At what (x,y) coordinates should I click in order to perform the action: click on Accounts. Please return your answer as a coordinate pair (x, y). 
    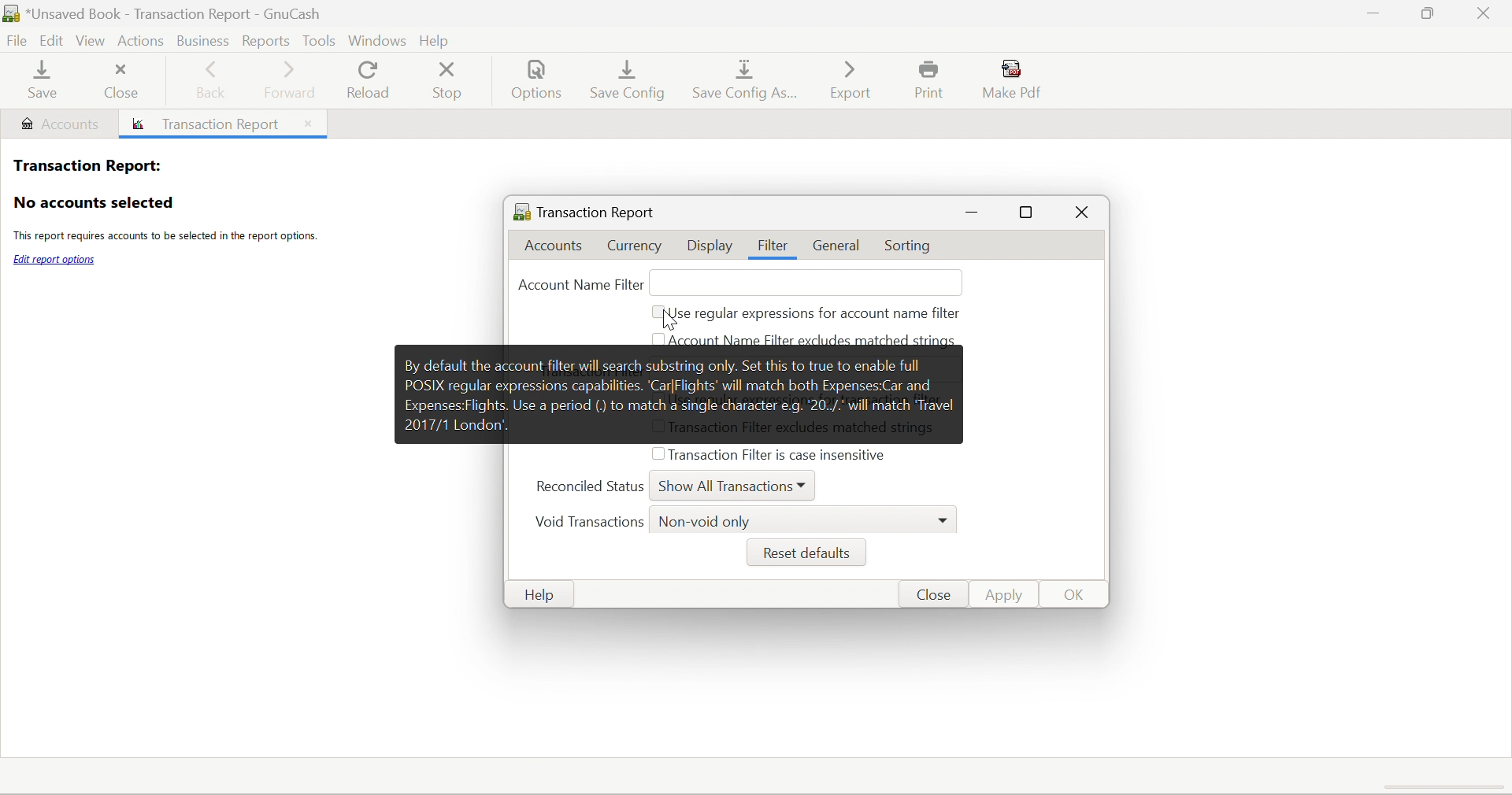
    Looking at the image, I should click on (59, 124).